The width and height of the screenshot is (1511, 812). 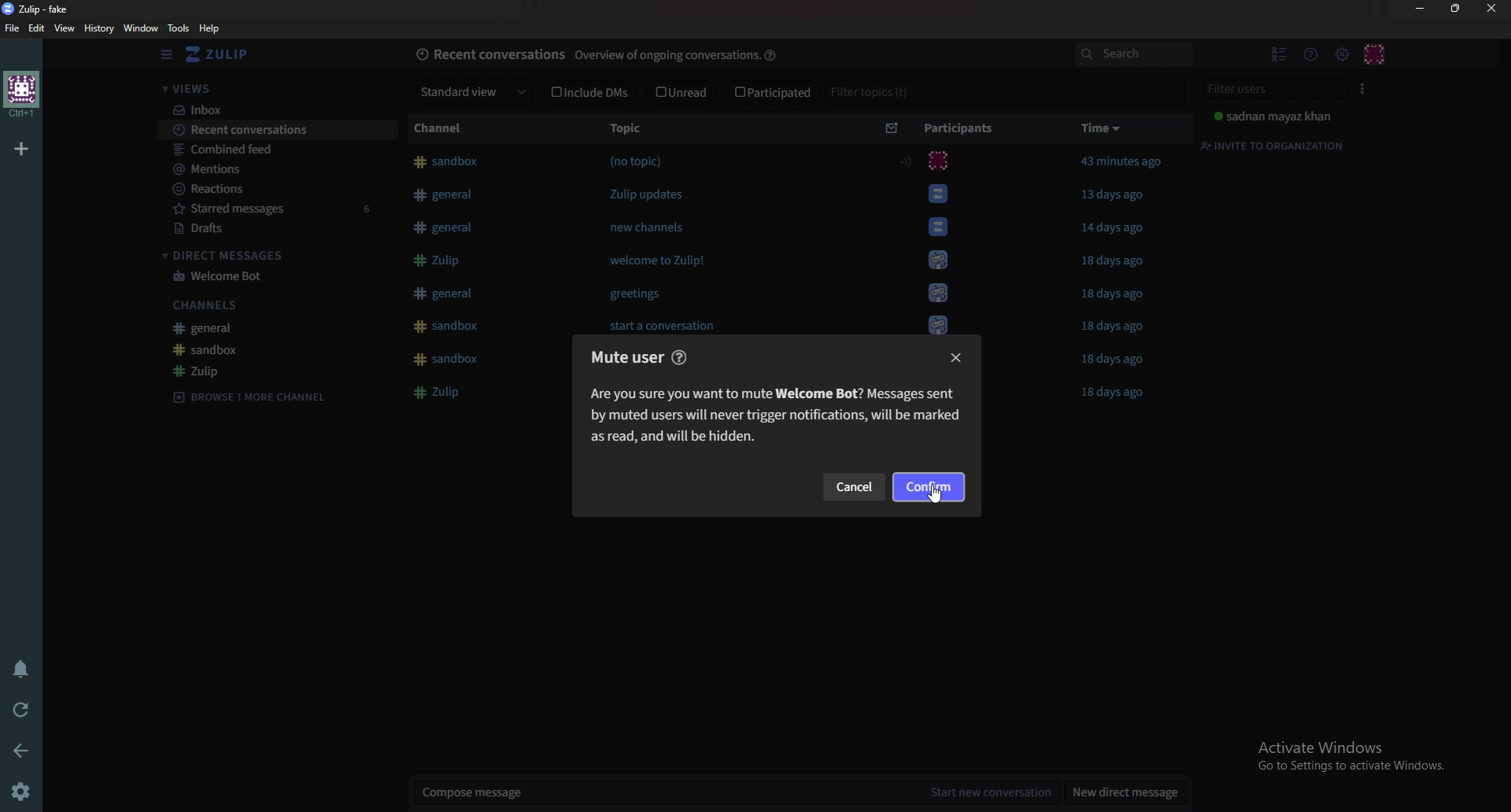 I want to click on help, so click(x=209, y=28).